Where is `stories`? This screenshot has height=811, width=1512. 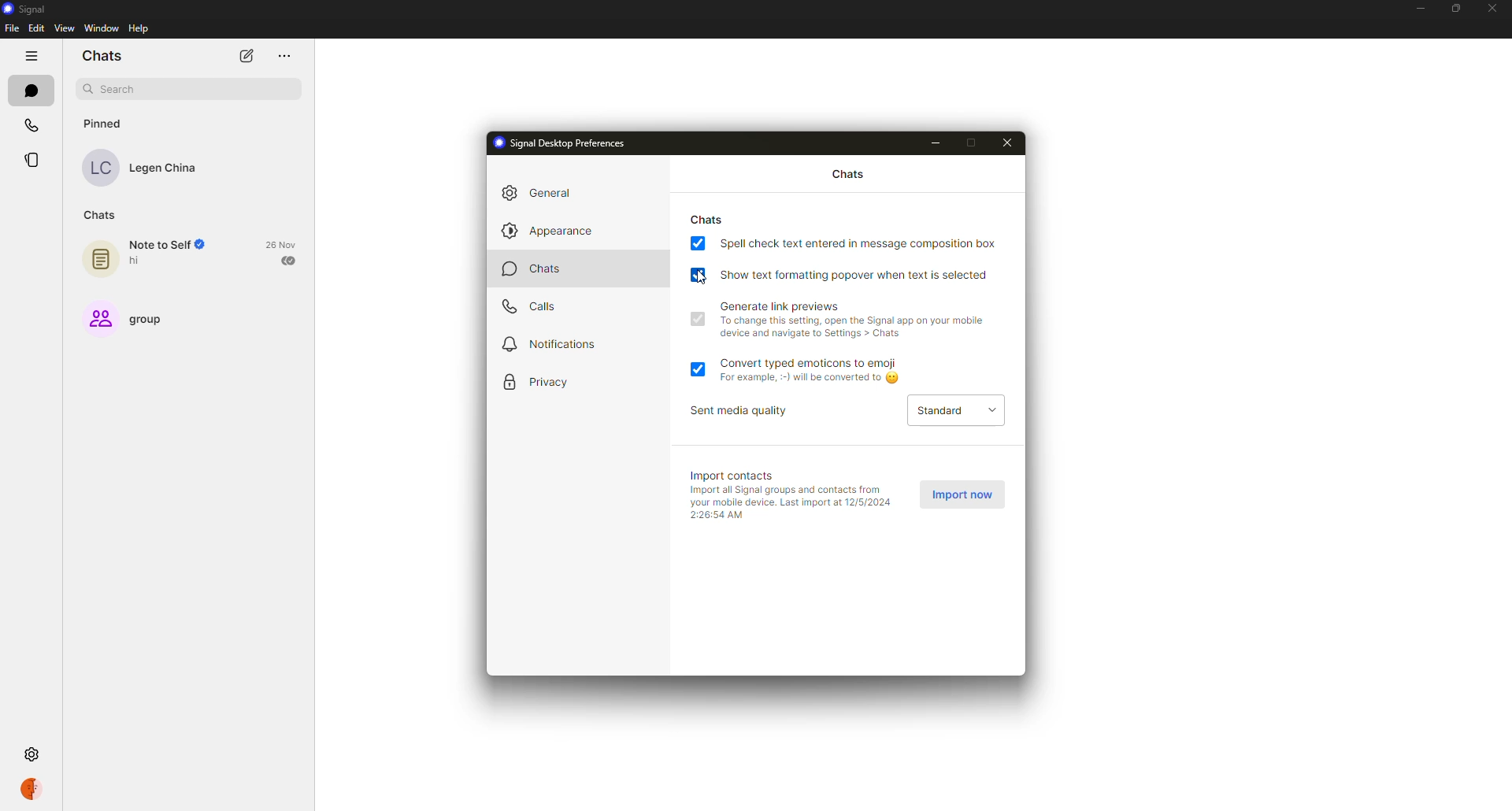
stories is located at coordinates (34, 160).